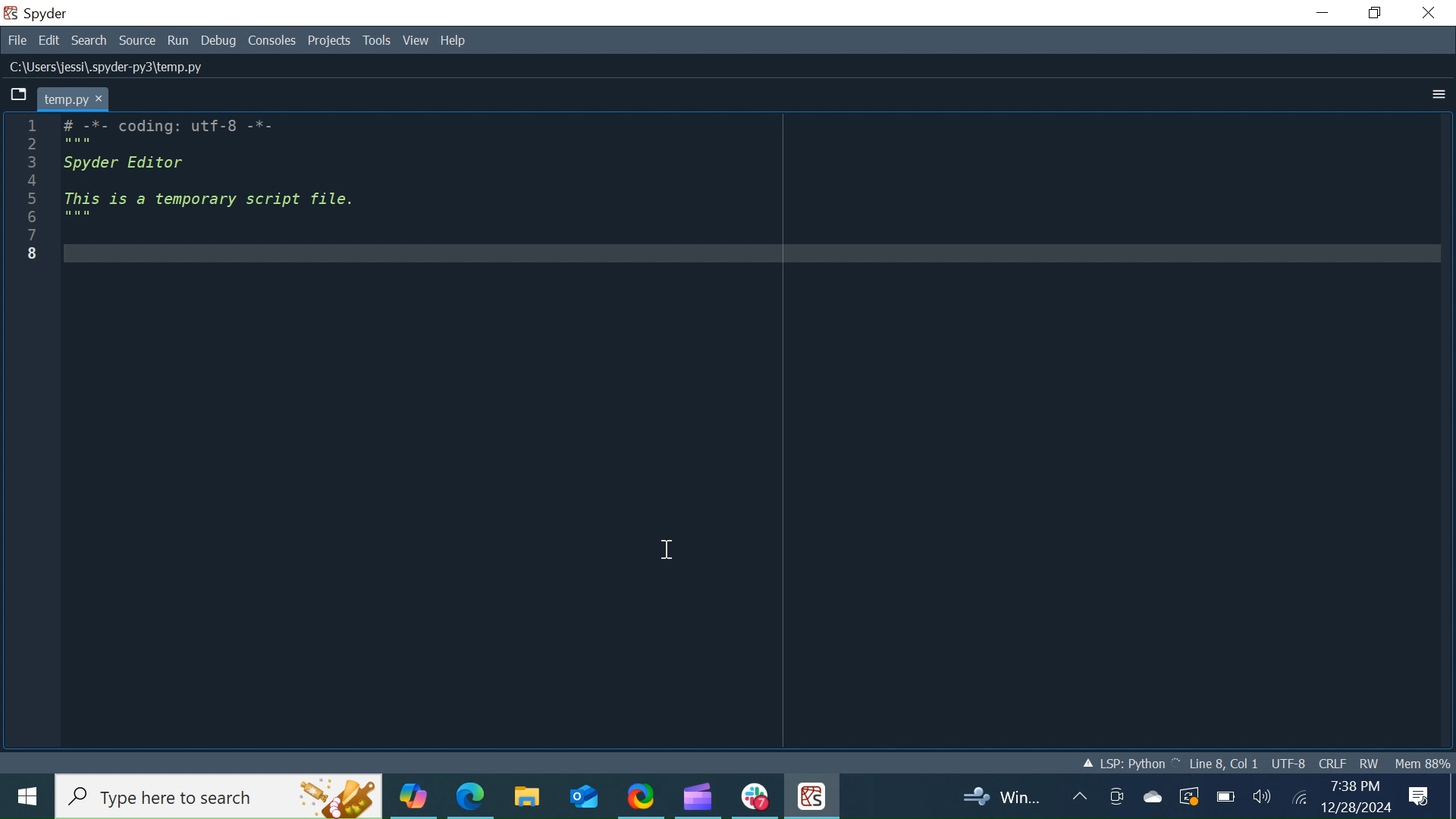 The width and height of the screenshot is (1456, 819). Describe the element at coordinates (218, 42) in the screenshot. I see `Debug` at that location.